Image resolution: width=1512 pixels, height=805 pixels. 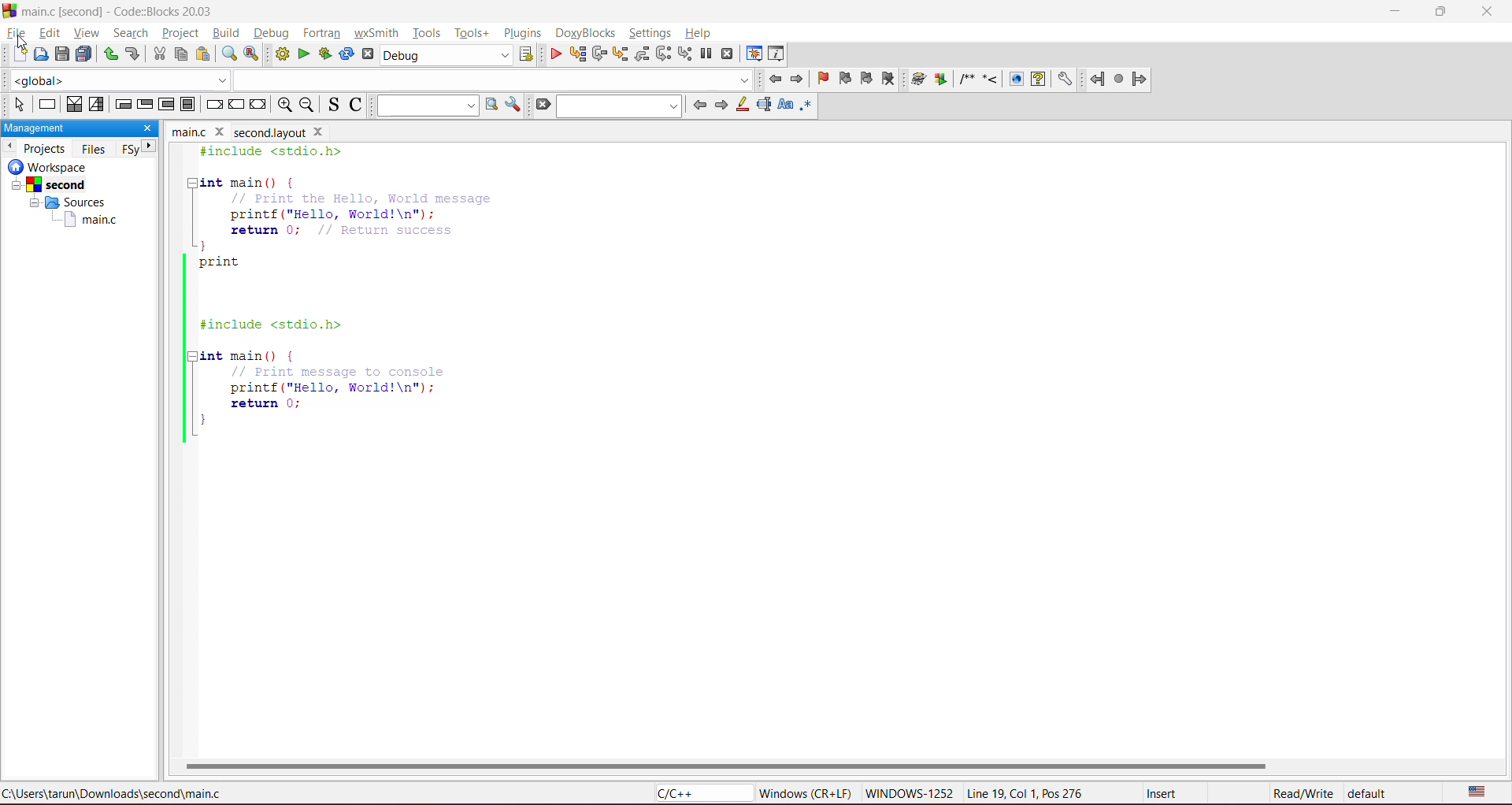 I want to click on redo, so click(x=135, y=55).